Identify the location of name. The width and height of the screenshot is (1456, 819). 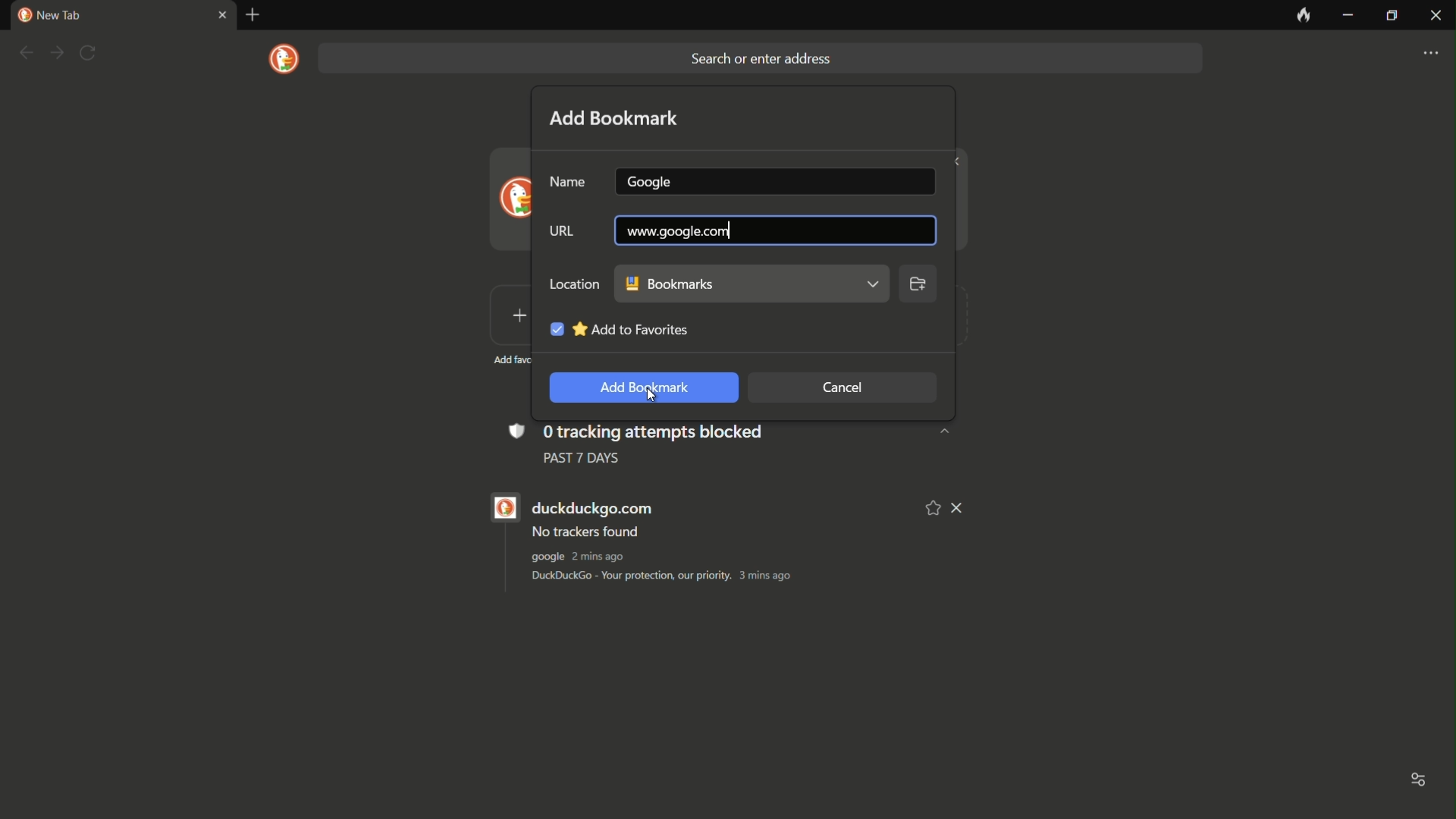
(568, 183).